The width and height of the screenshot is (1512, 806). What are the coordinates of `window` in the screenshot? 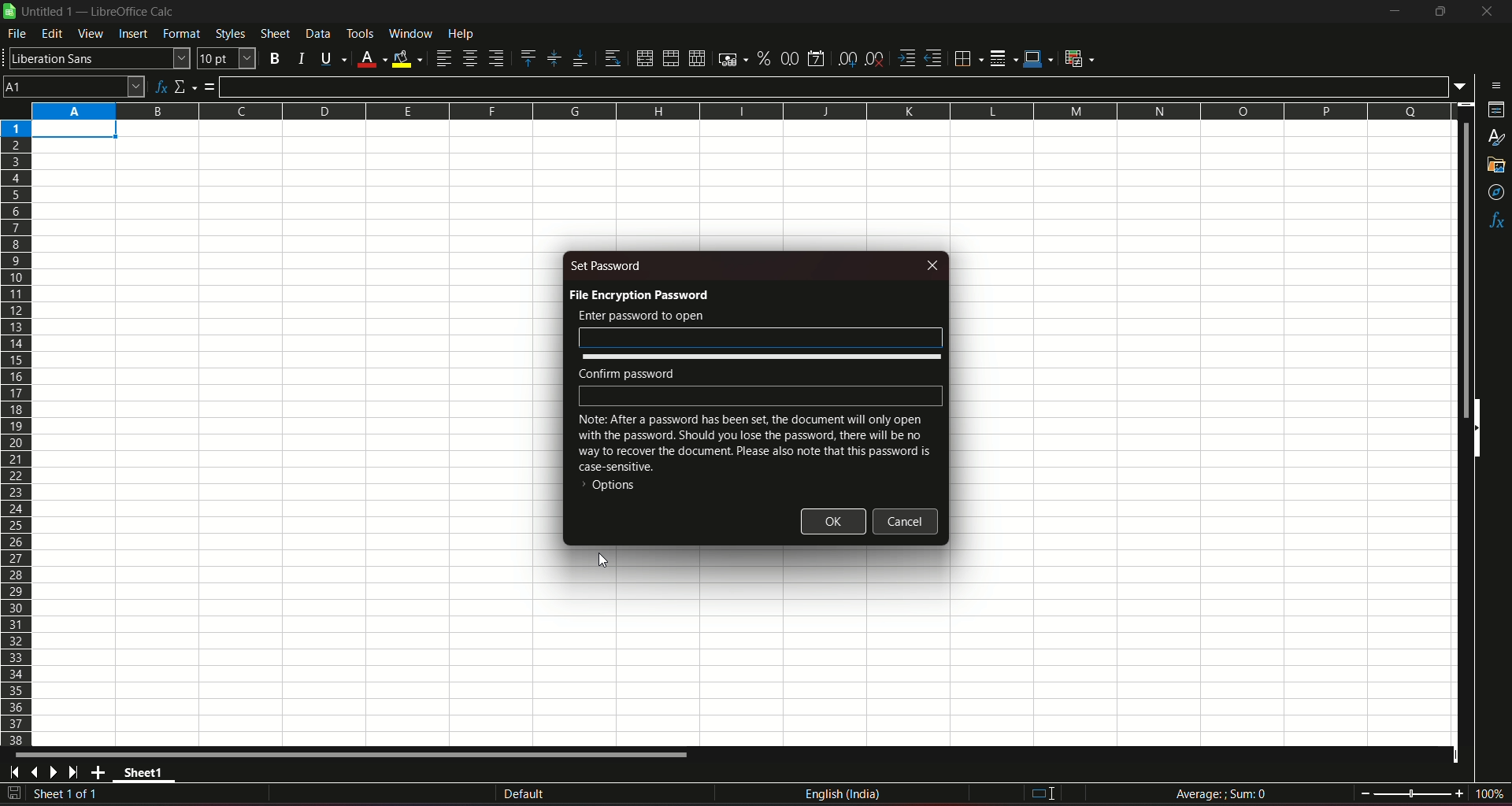 It's located at (410, 34).